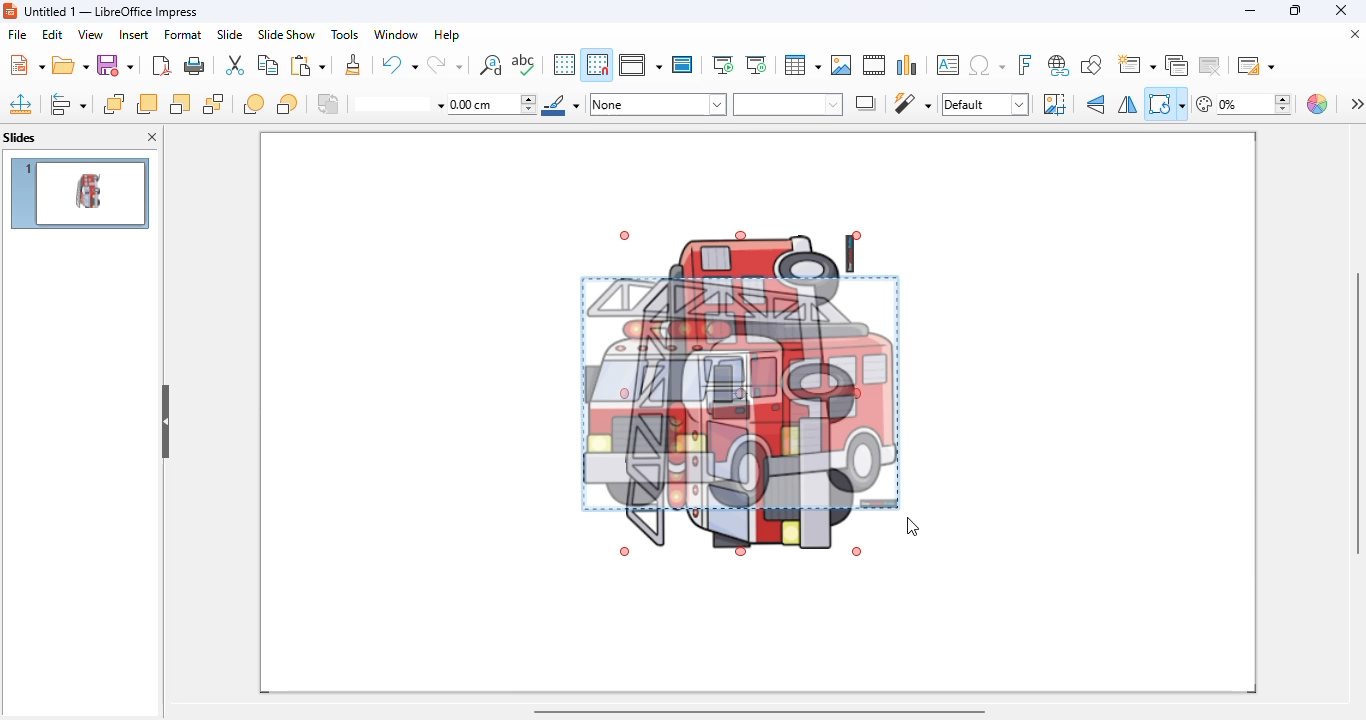 The height and width of the screenshot is (720, 1366). What do you see at coordinates (52, 34) in the screenshot?
I see `edit` at bounding box center [52, 34].